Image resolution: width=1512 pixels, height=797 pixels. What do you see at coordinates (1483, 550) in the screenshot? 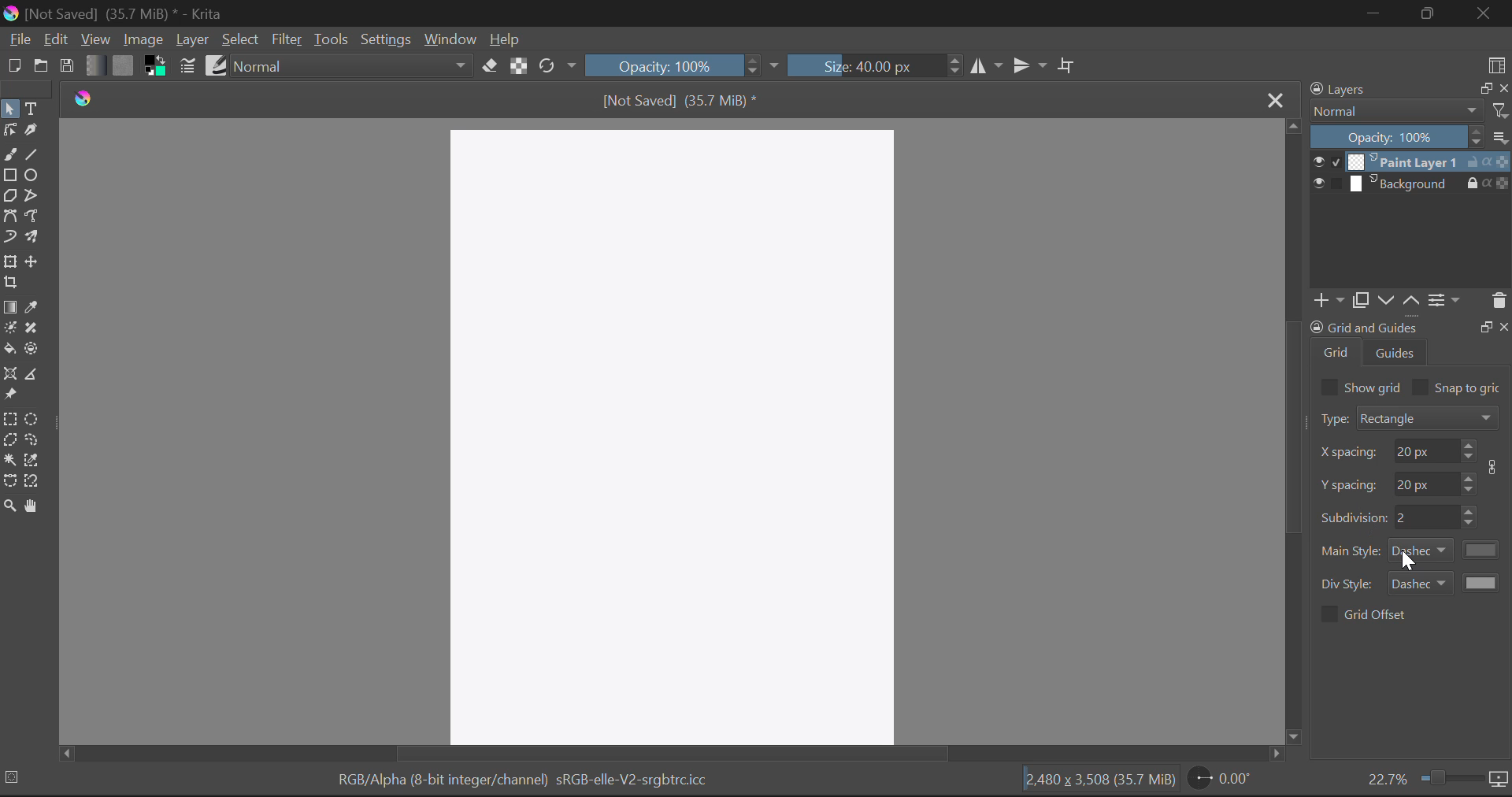
I see `color` at bounding box center [1483, 550].